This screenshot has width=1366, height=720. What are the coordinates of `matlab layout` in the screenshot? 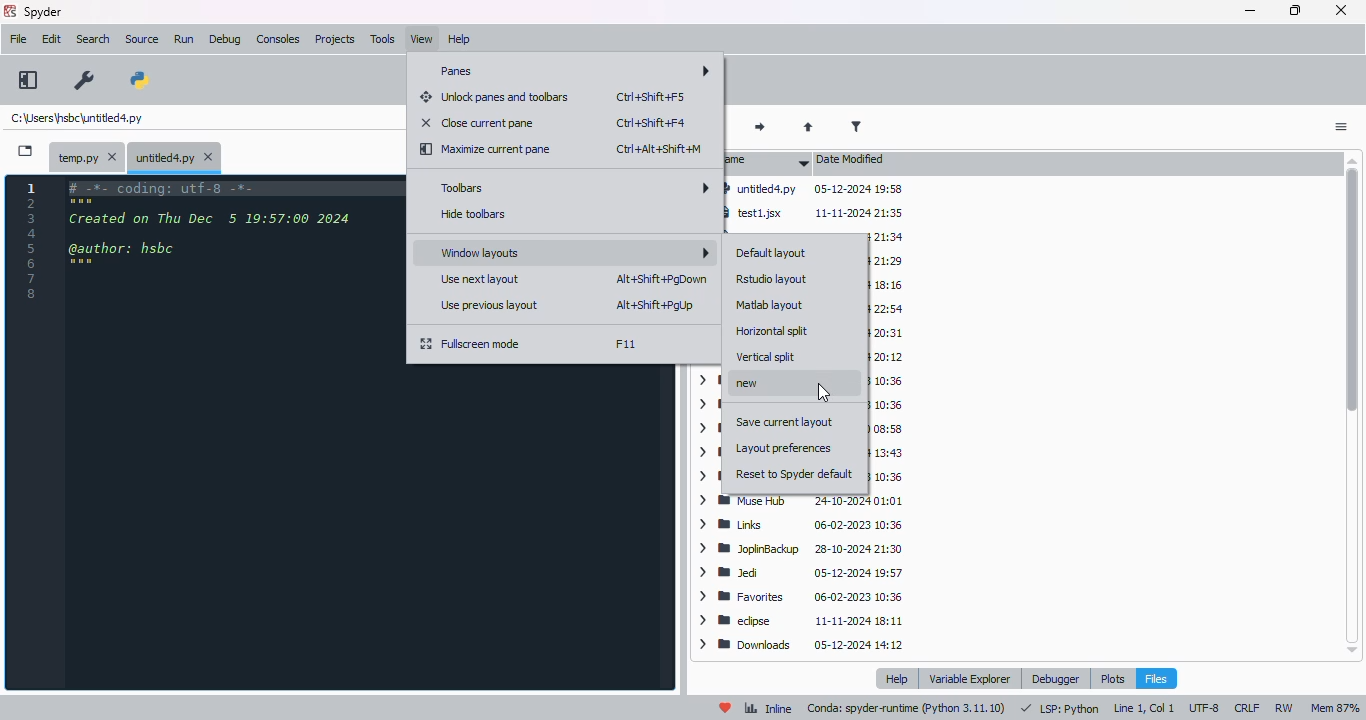 It's located at (771, 304).